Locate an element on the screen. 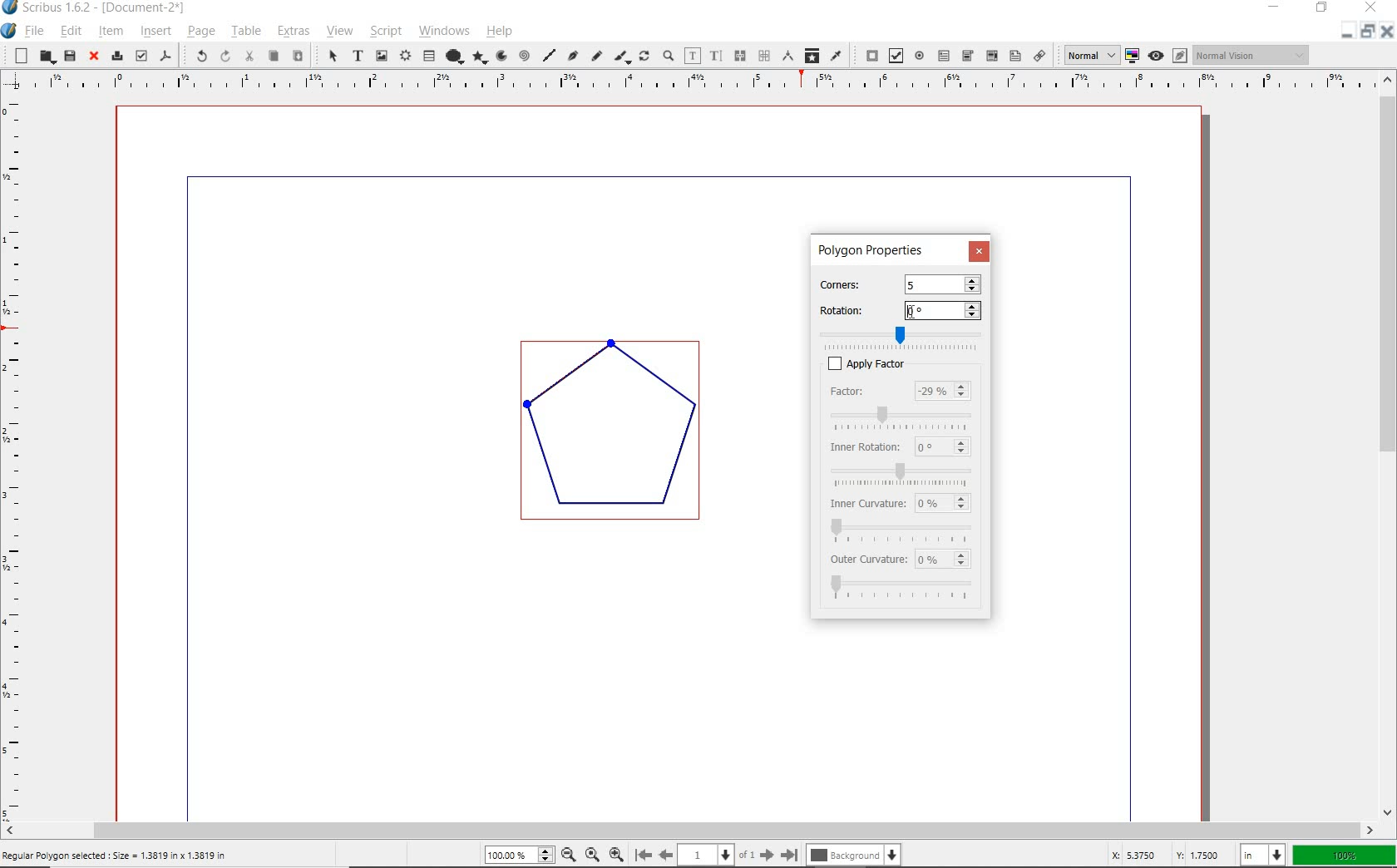 The image size is (1397, 868). measurements is located at coordinates (789, 56).